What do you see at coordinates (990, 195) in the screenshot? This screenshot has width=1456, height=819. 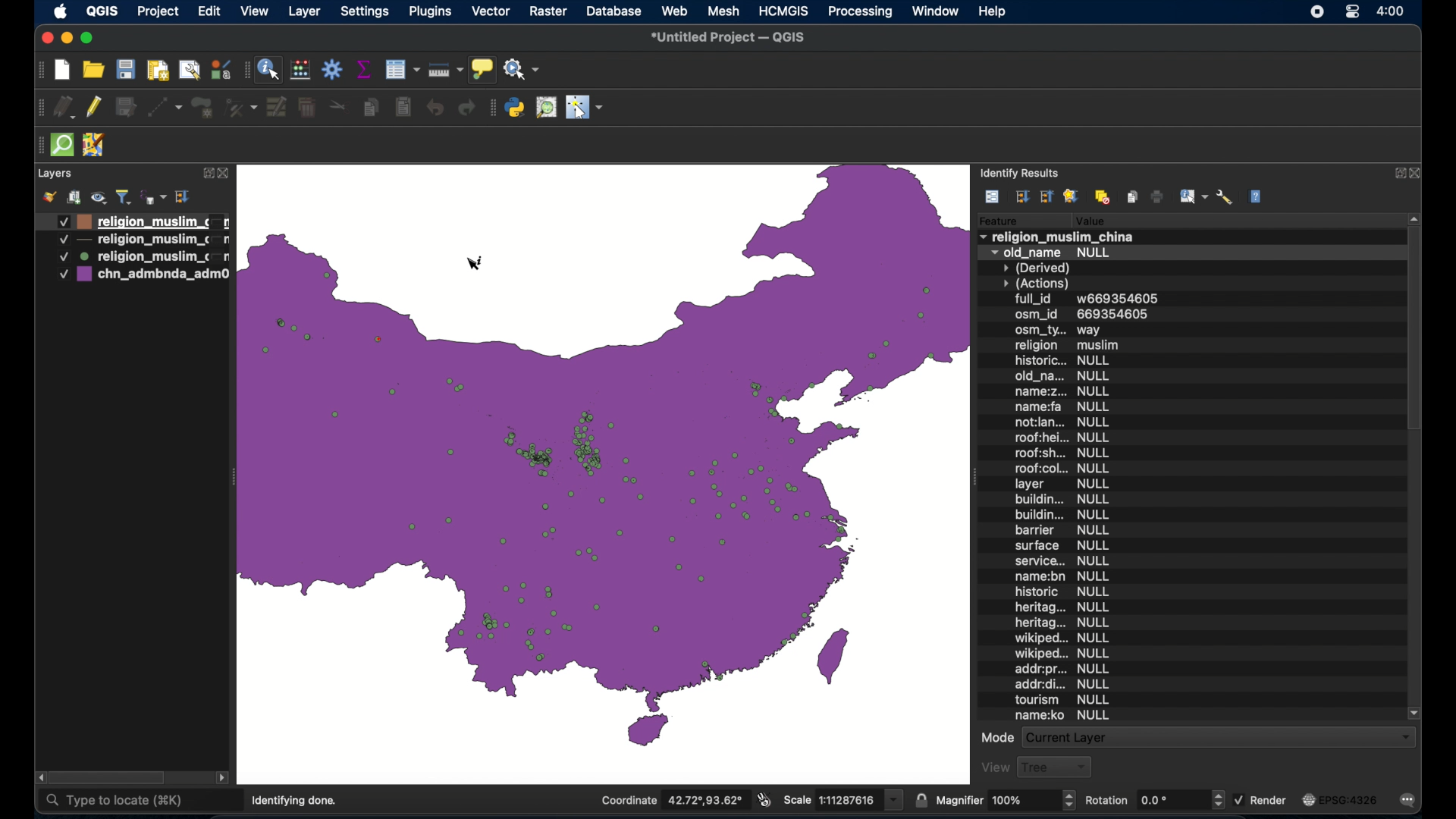 I see `view feature form` at bounding box center [990, 195].